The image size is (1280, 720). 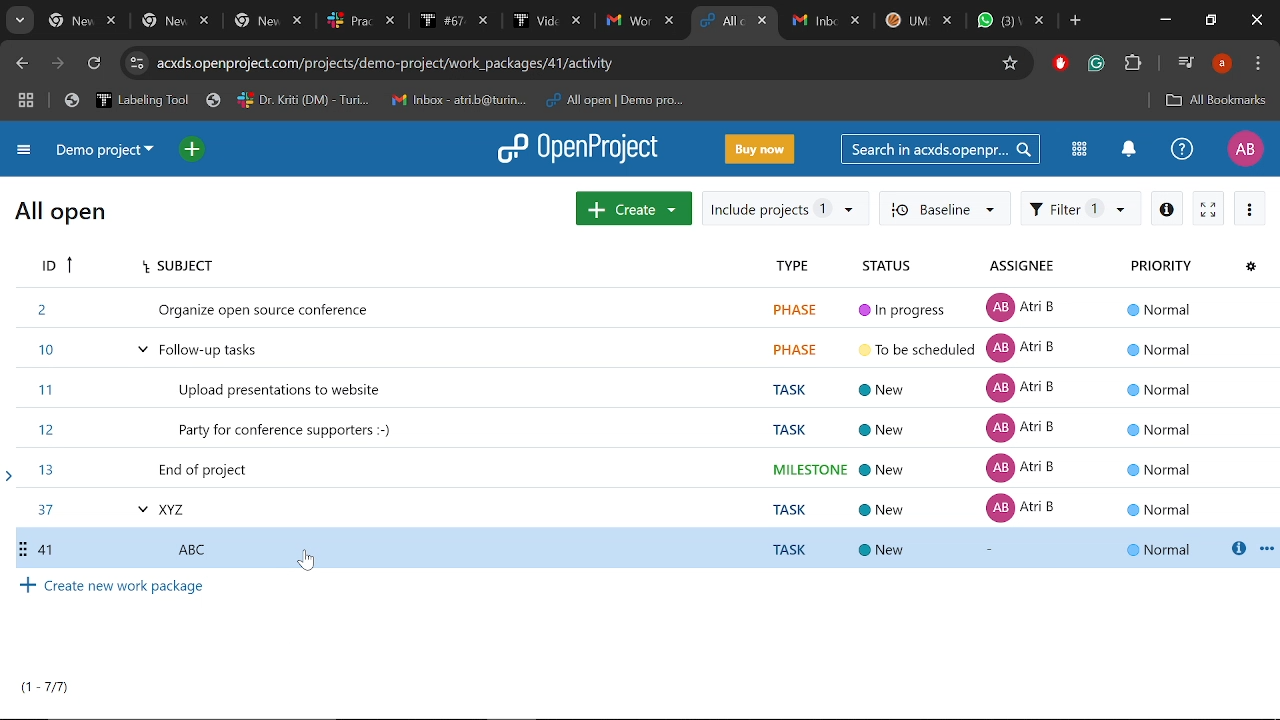 What do you see at coordinates (1249, 208) in the screenshot?
I see `More actions` at bounding box center [1249, 208].